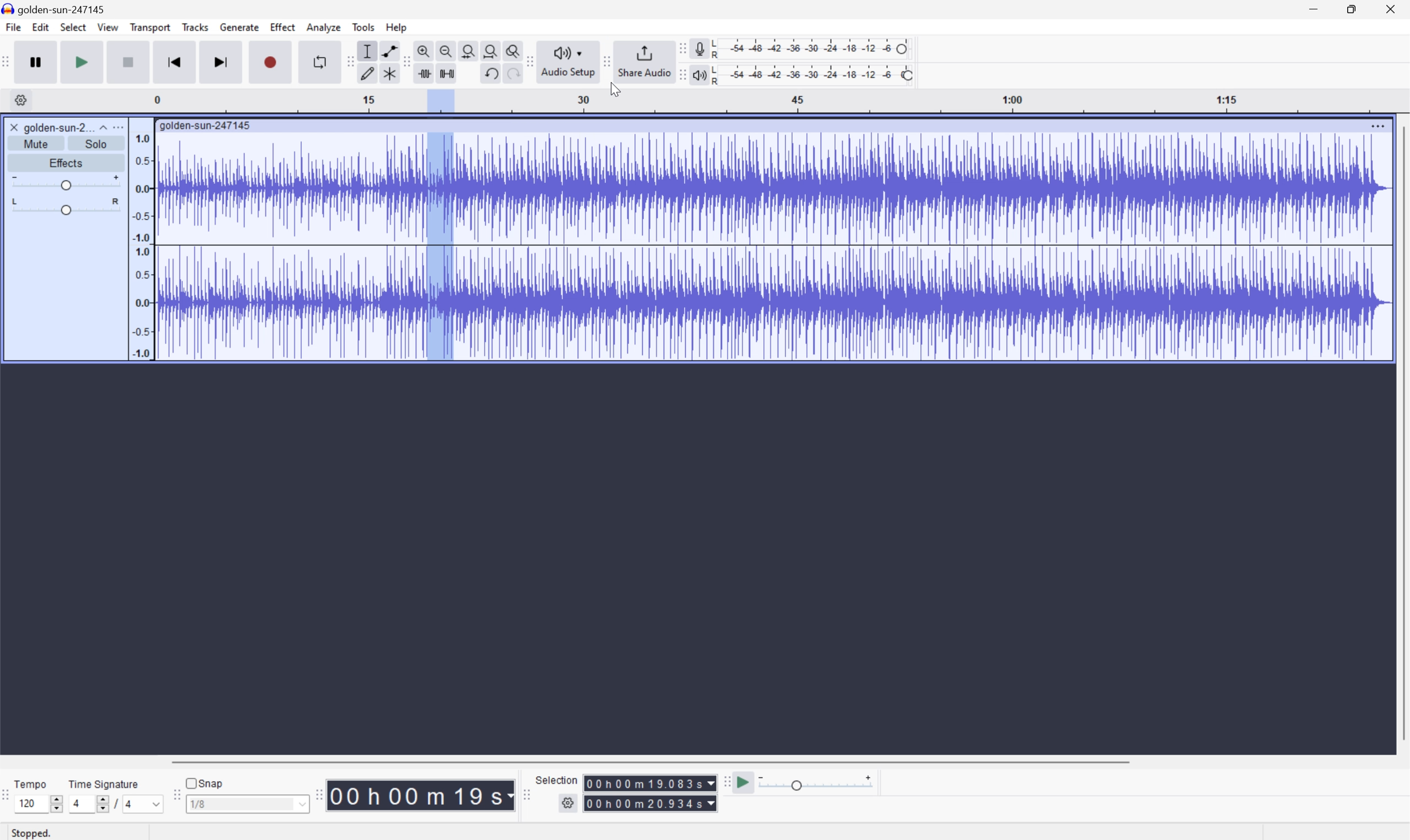  Describe the element at coordinates (725, 782) in the screenshot. I see `Audacity play at speed toolbar` at that location.